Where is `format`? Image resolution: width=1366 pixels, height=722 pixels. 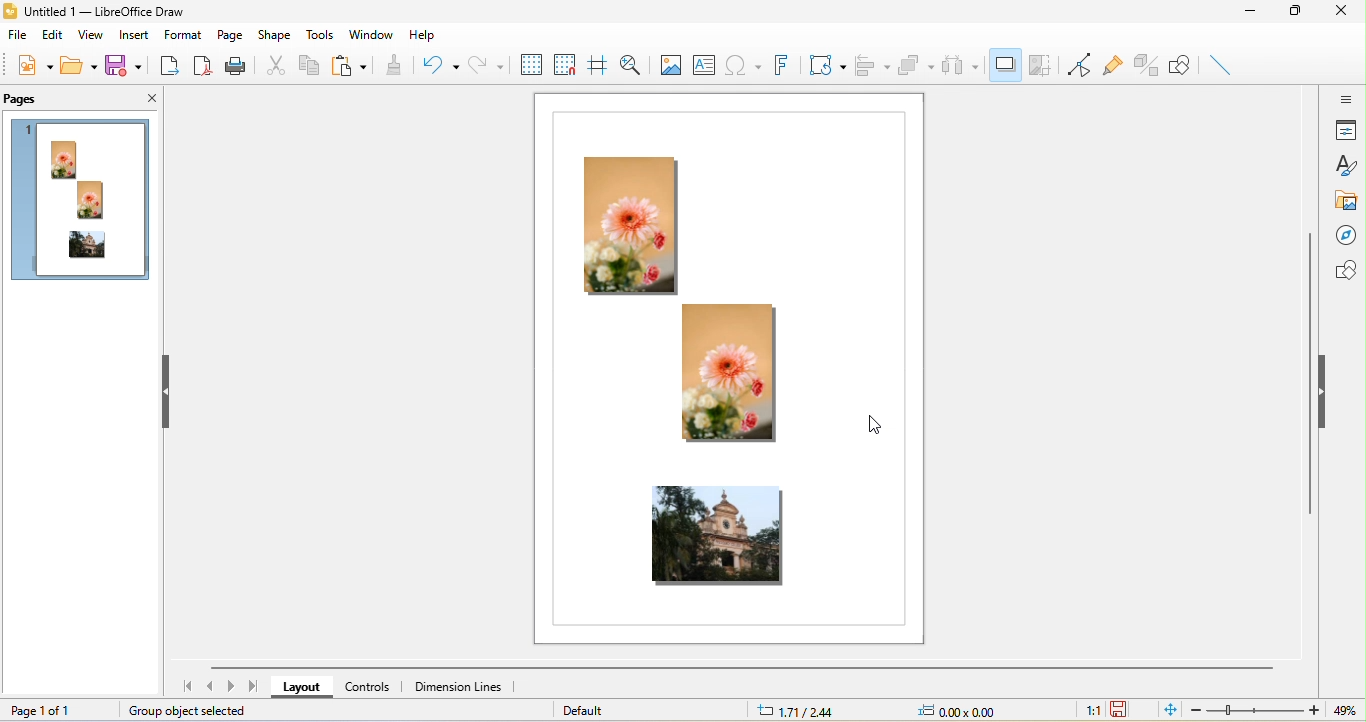
format is located at coordinates (181, 35).